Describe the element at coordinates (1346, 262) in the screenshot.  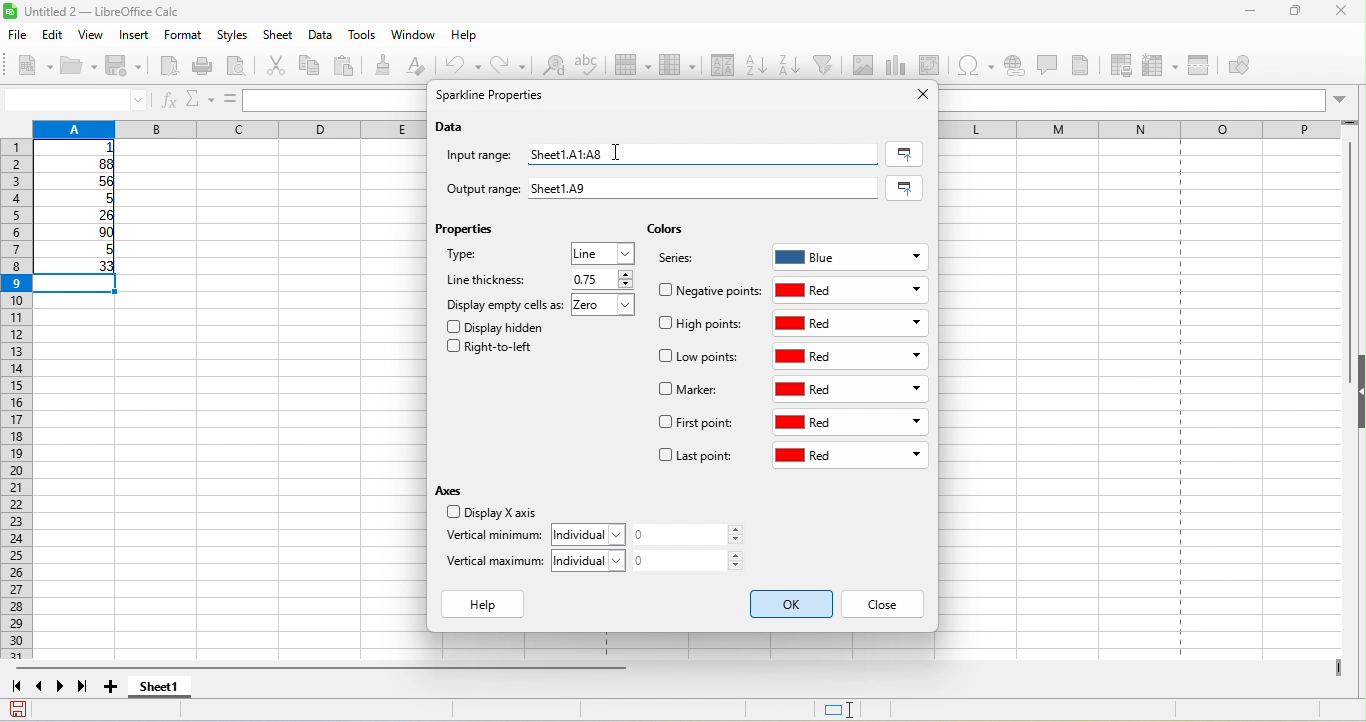
I see `vertical scroll bar` at that location.